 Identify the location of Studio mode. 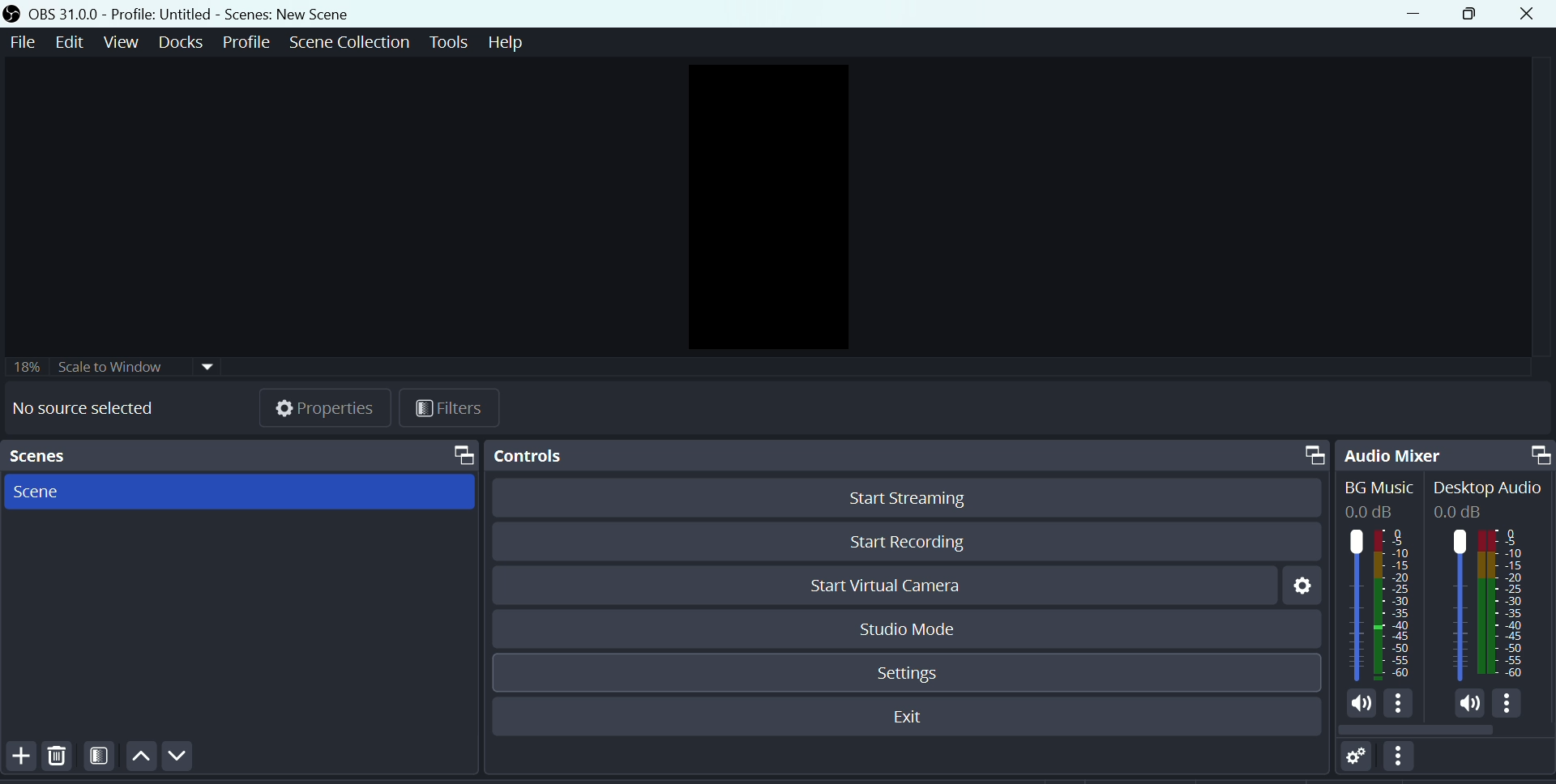
(902, 628).